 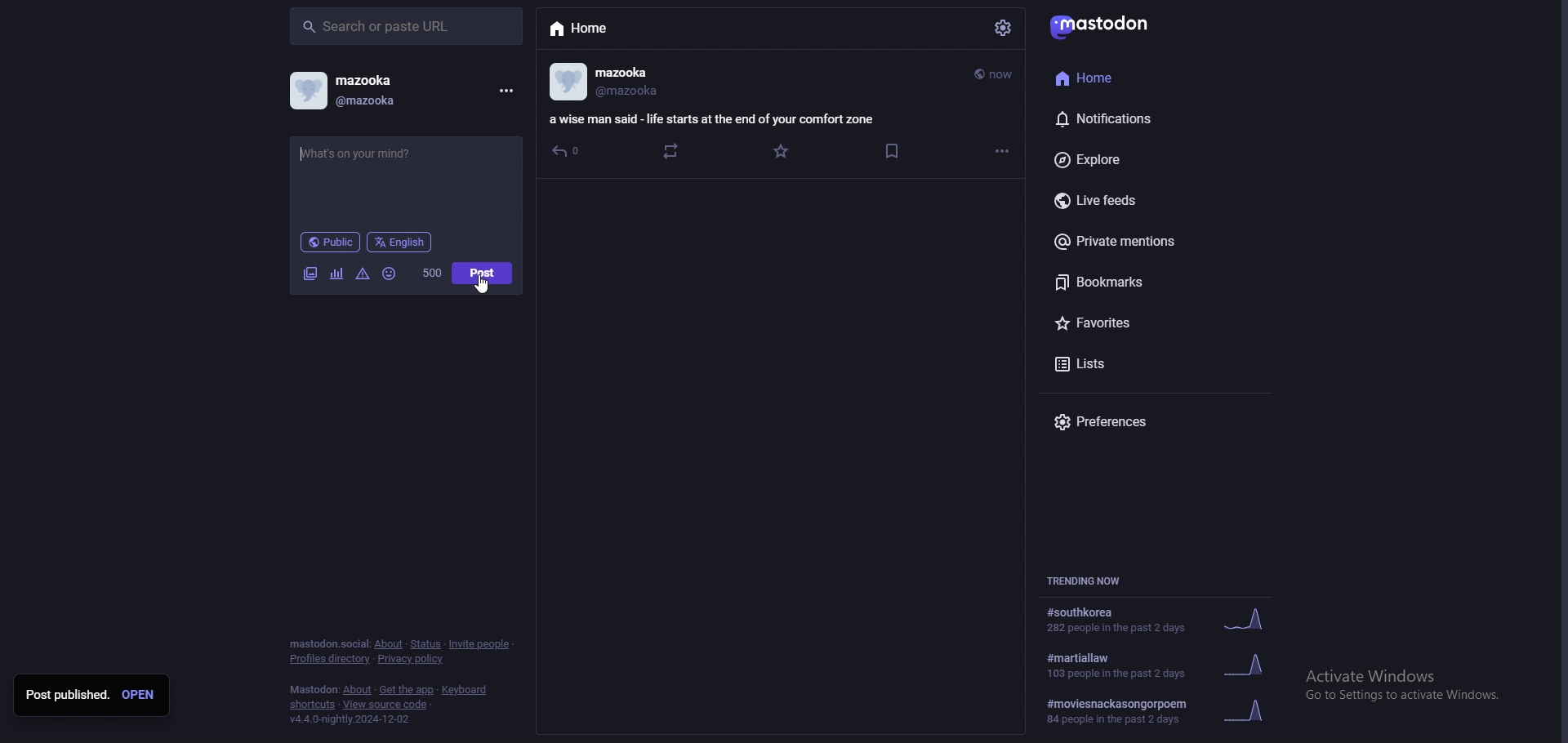 I want to click on post, so click(x=483, y=274).